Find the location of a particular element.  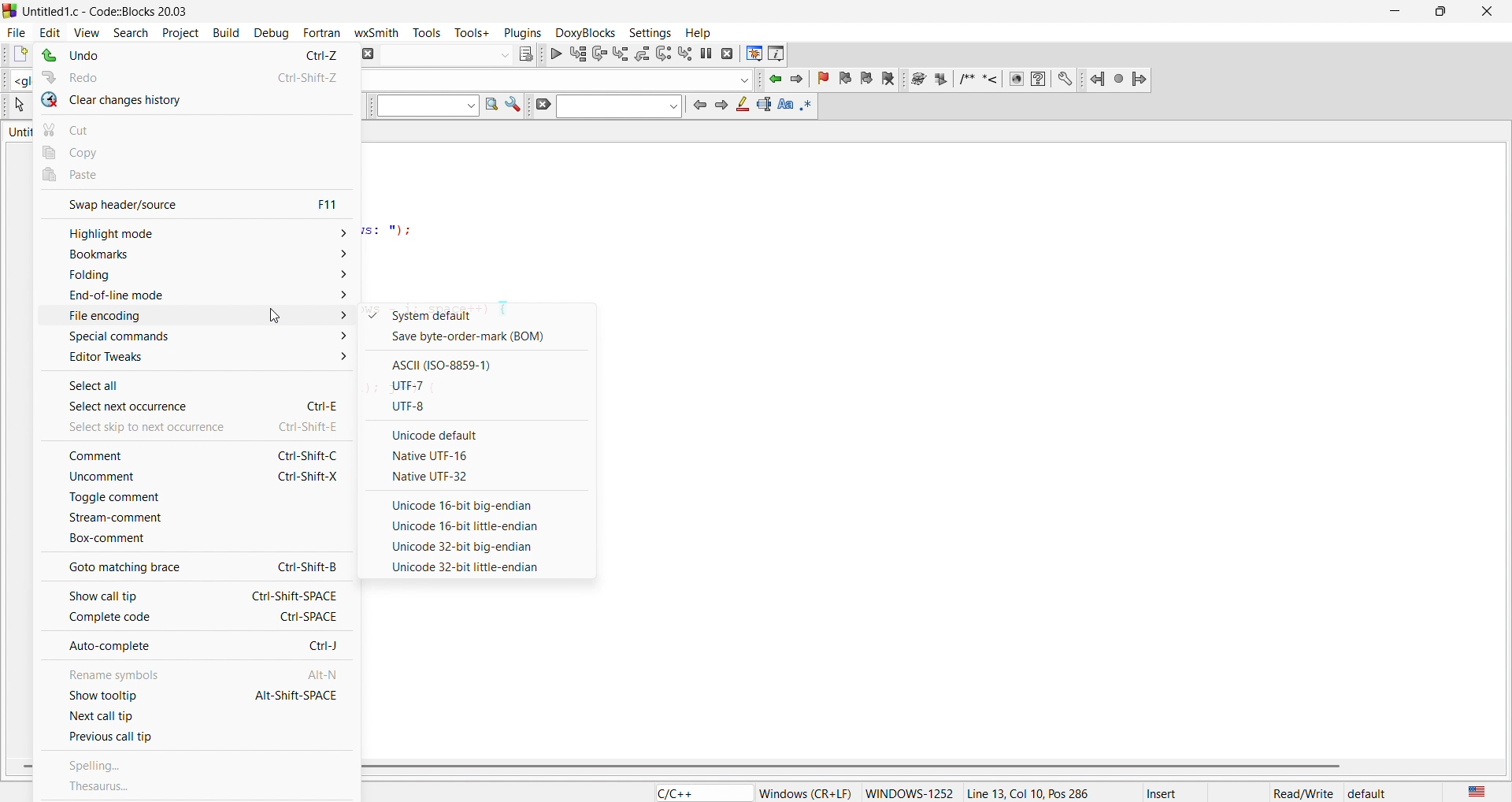

debug continue is located at coordinates (555, 55).